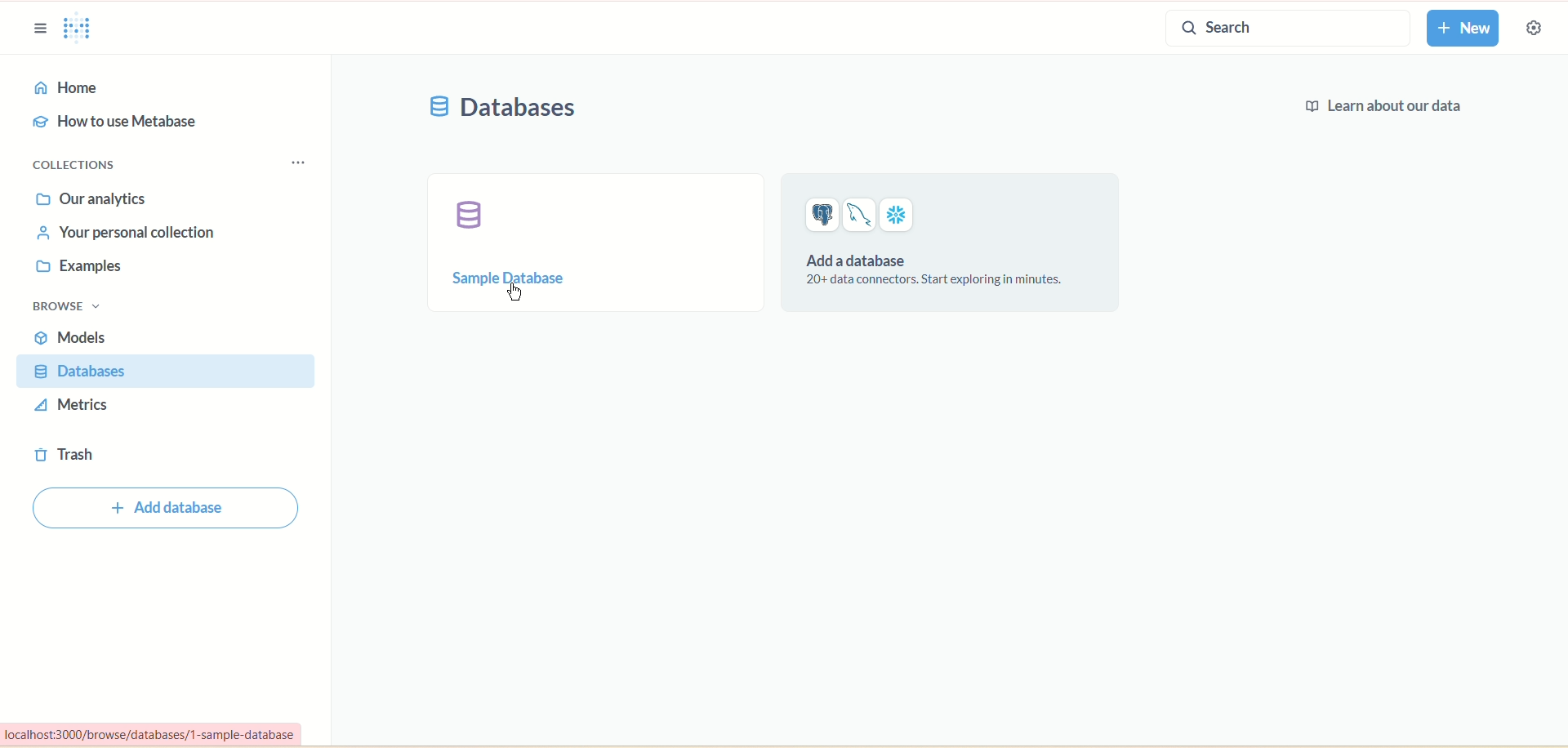 This screenshot has width=1568, height=748. I want to click on options, so click(300, 164).